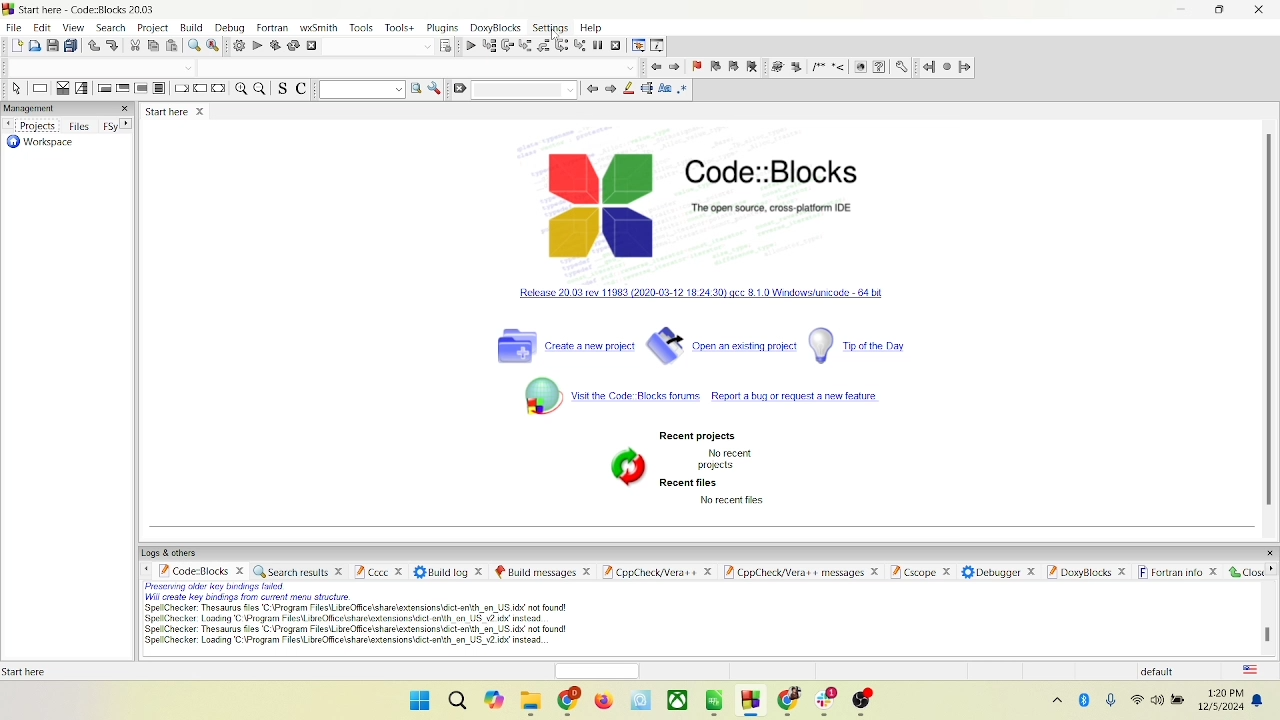 The image size is (1280, 720). I want to click on select target dialog, so click(448, 45).